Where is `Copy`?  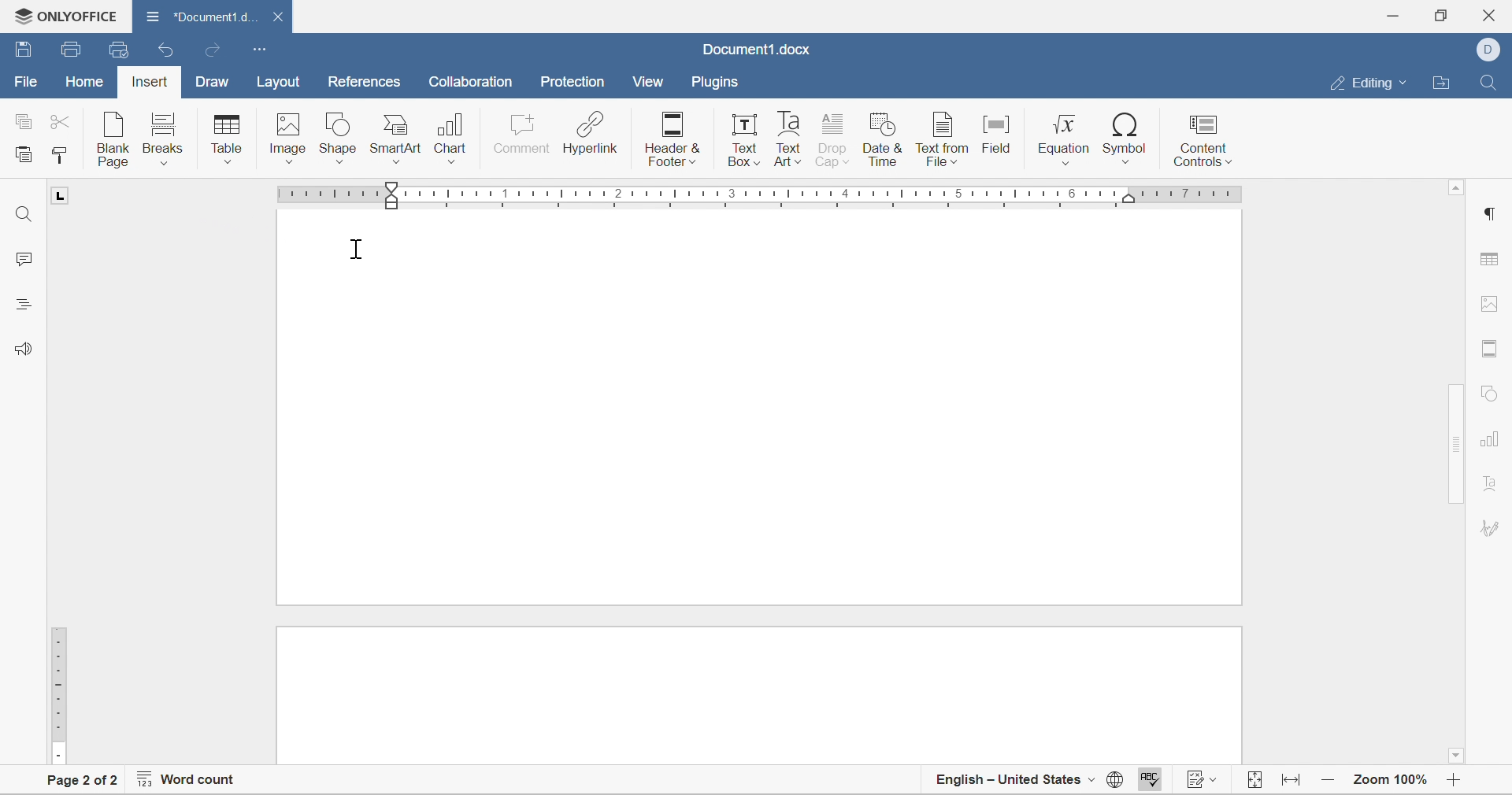
Copy is located at coordinates (23, 120).